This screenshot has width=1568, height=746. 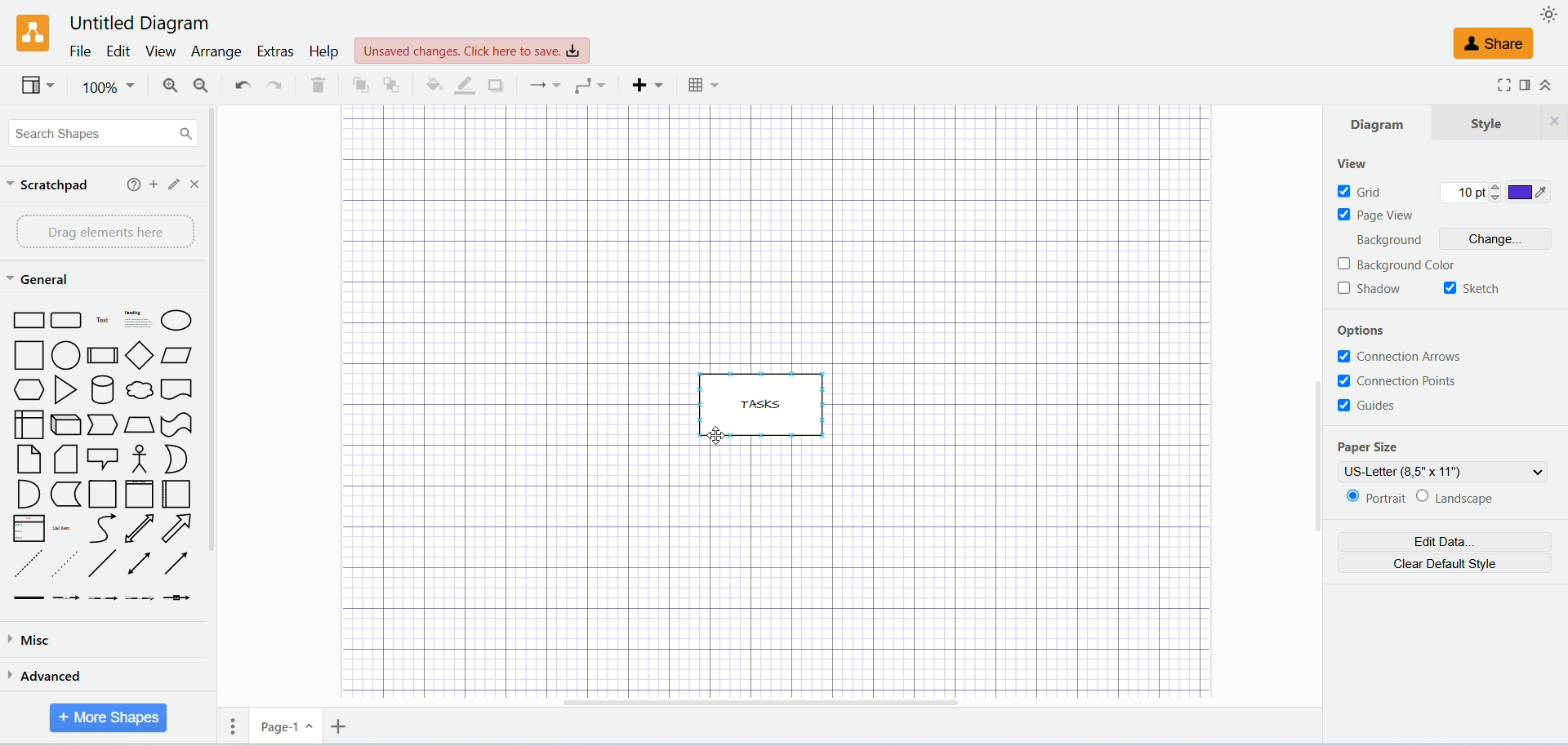 What do you see at coordinates (139, 494) in the screenshot?
I see `Vertical Container` at bounding box center [139, 494].